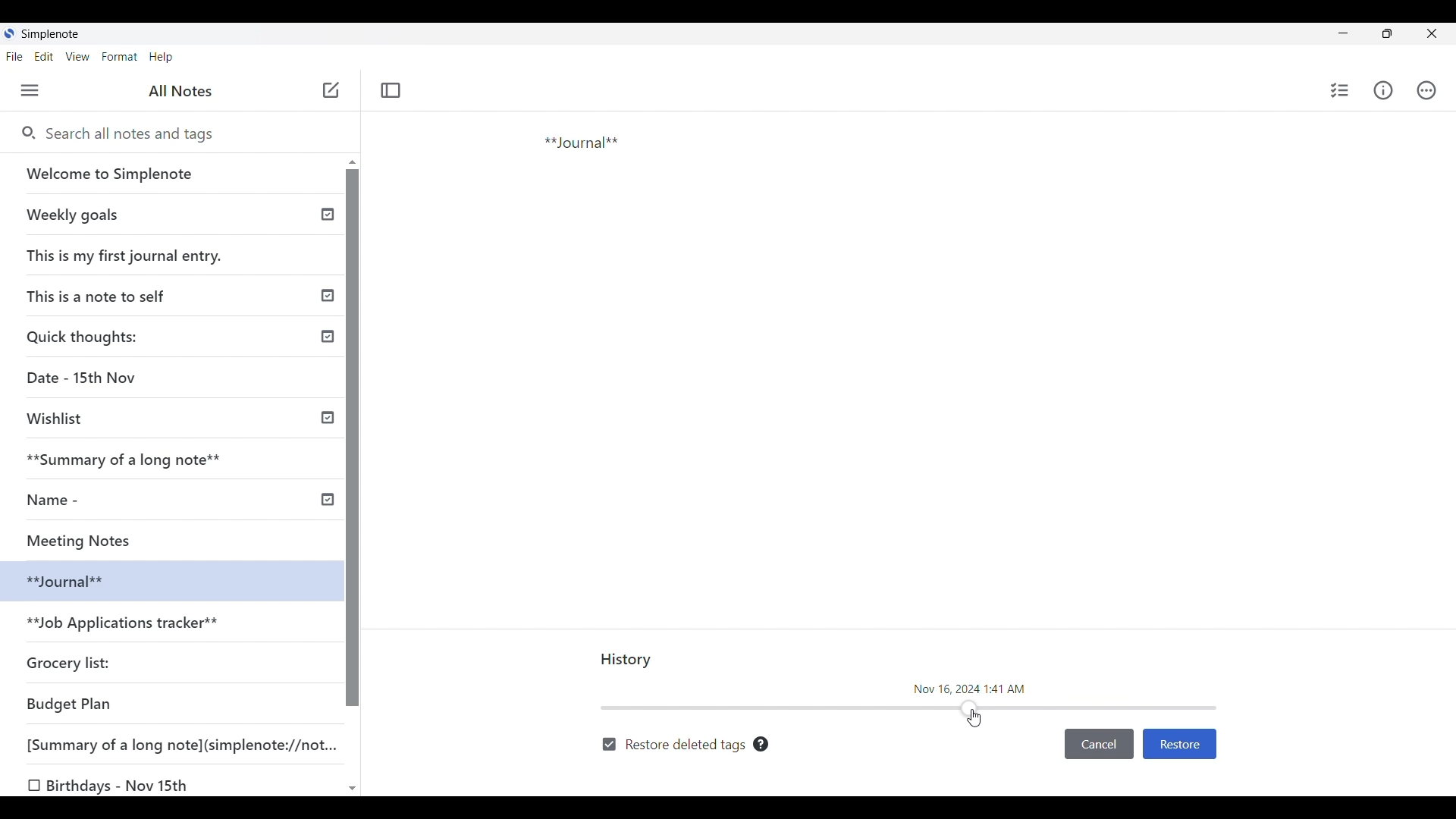 The width and height of the screenshot is (1456, 819). I want to click on Published notes indicated by check icon, so click(328, 357).